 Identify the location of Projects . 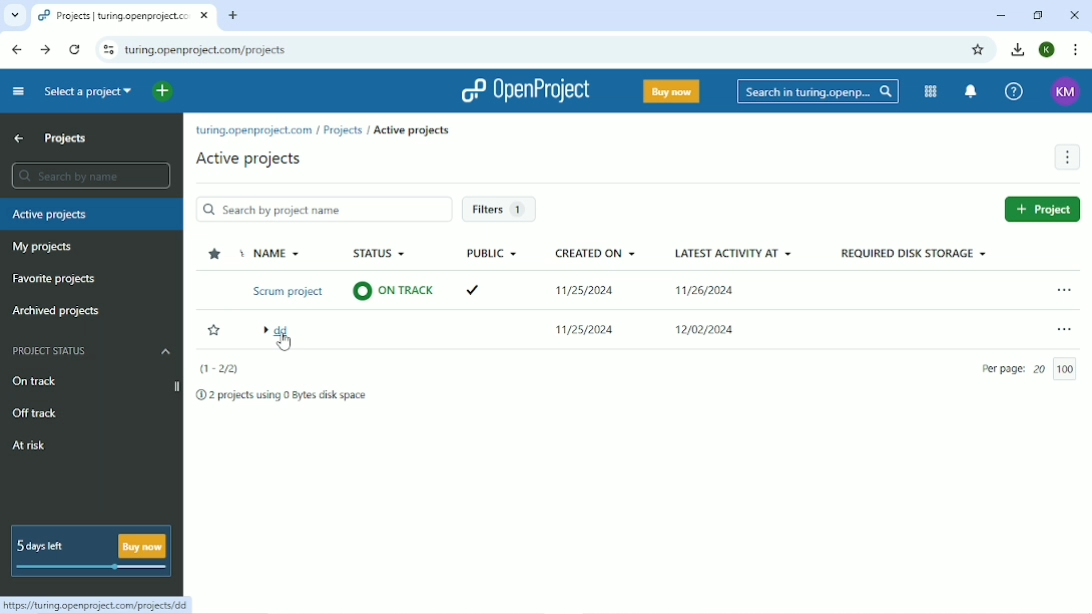
(66, 138).